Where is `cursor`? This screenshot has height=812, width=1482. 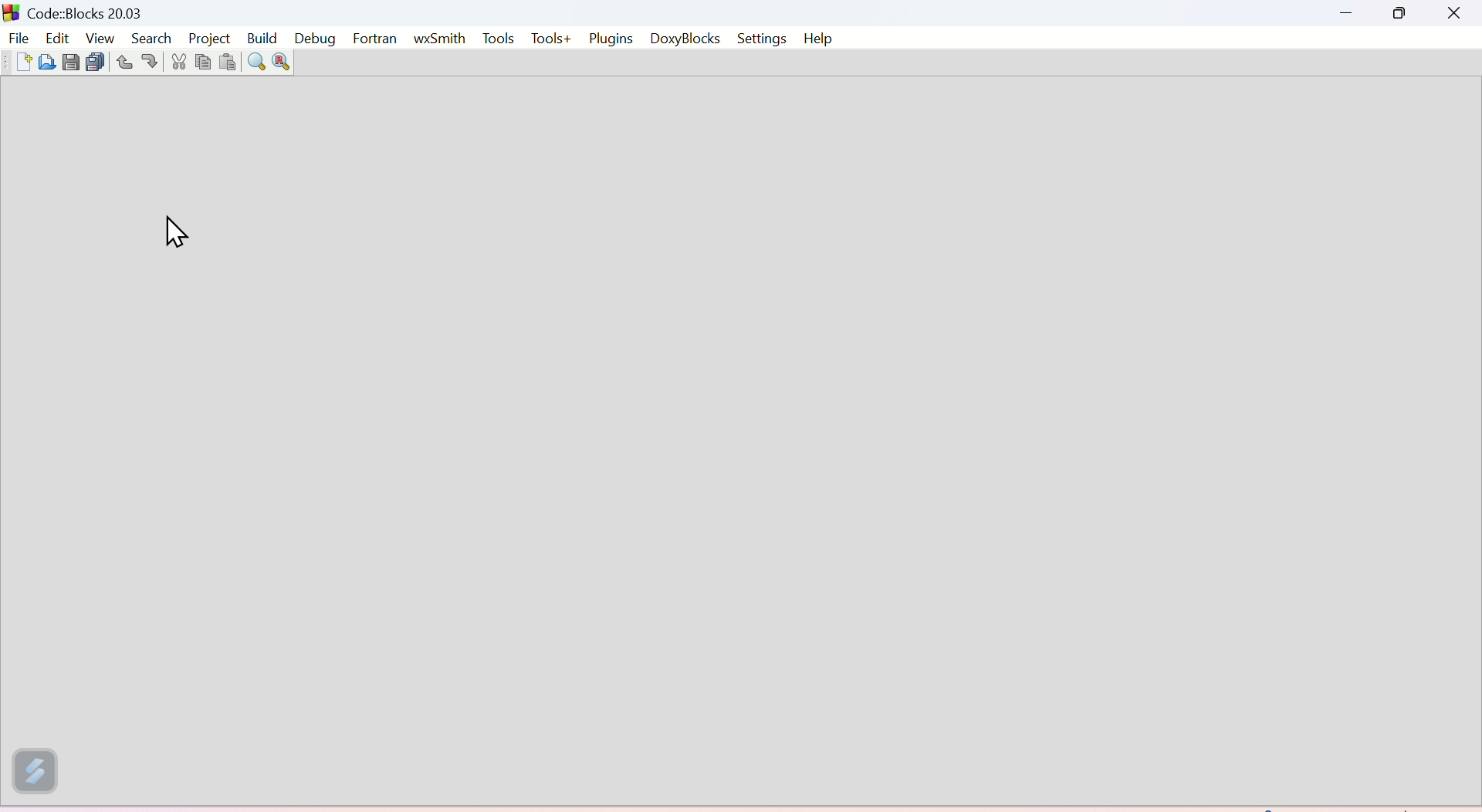
cursor is located at coordinates (175, 230).